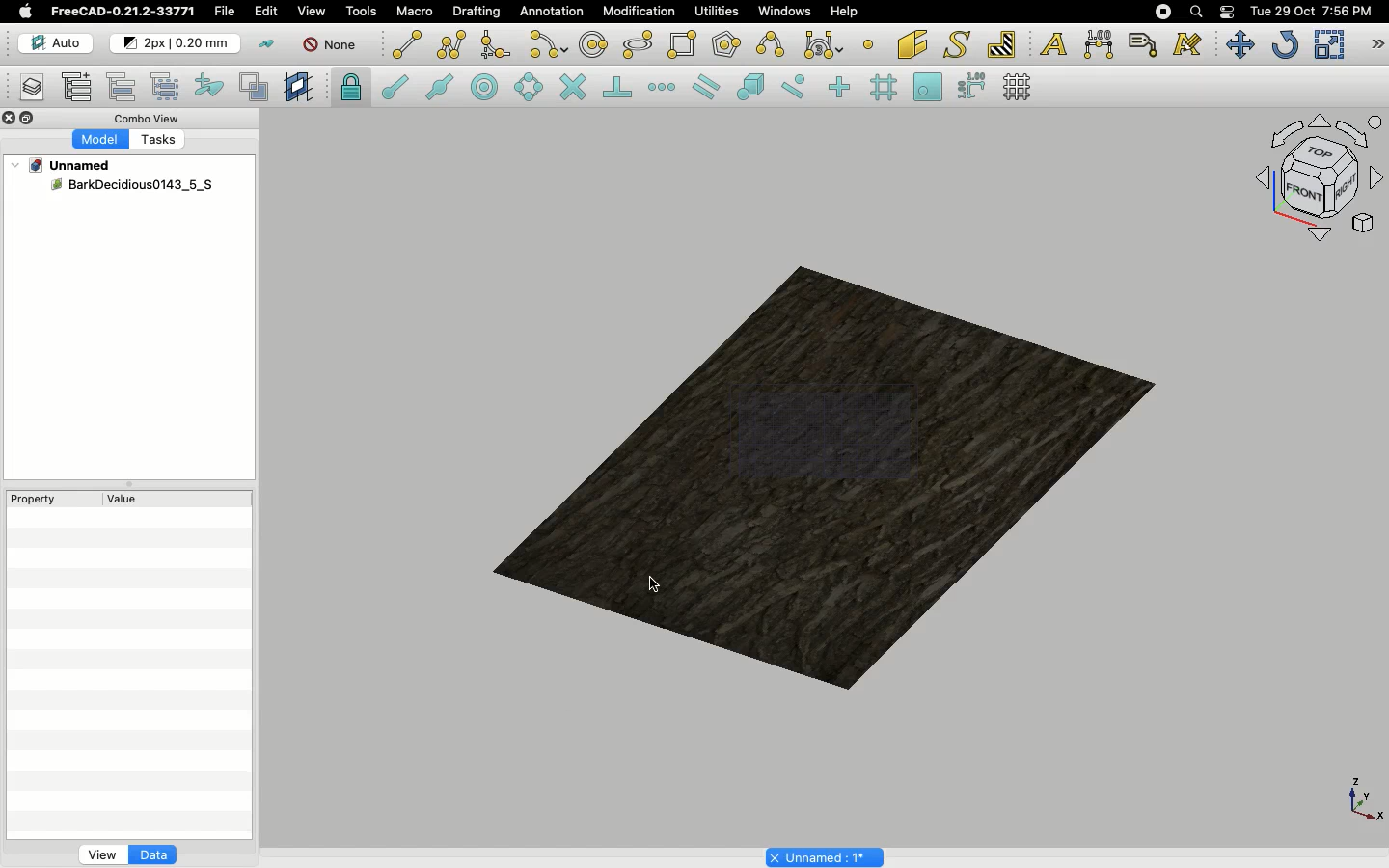 Image resolution: width=1389 pixels, height=868 pixels. What do you see at coordinates (1311, 10) in the screenshot?
I see `Date/time` at bounding box center [1311, 10].